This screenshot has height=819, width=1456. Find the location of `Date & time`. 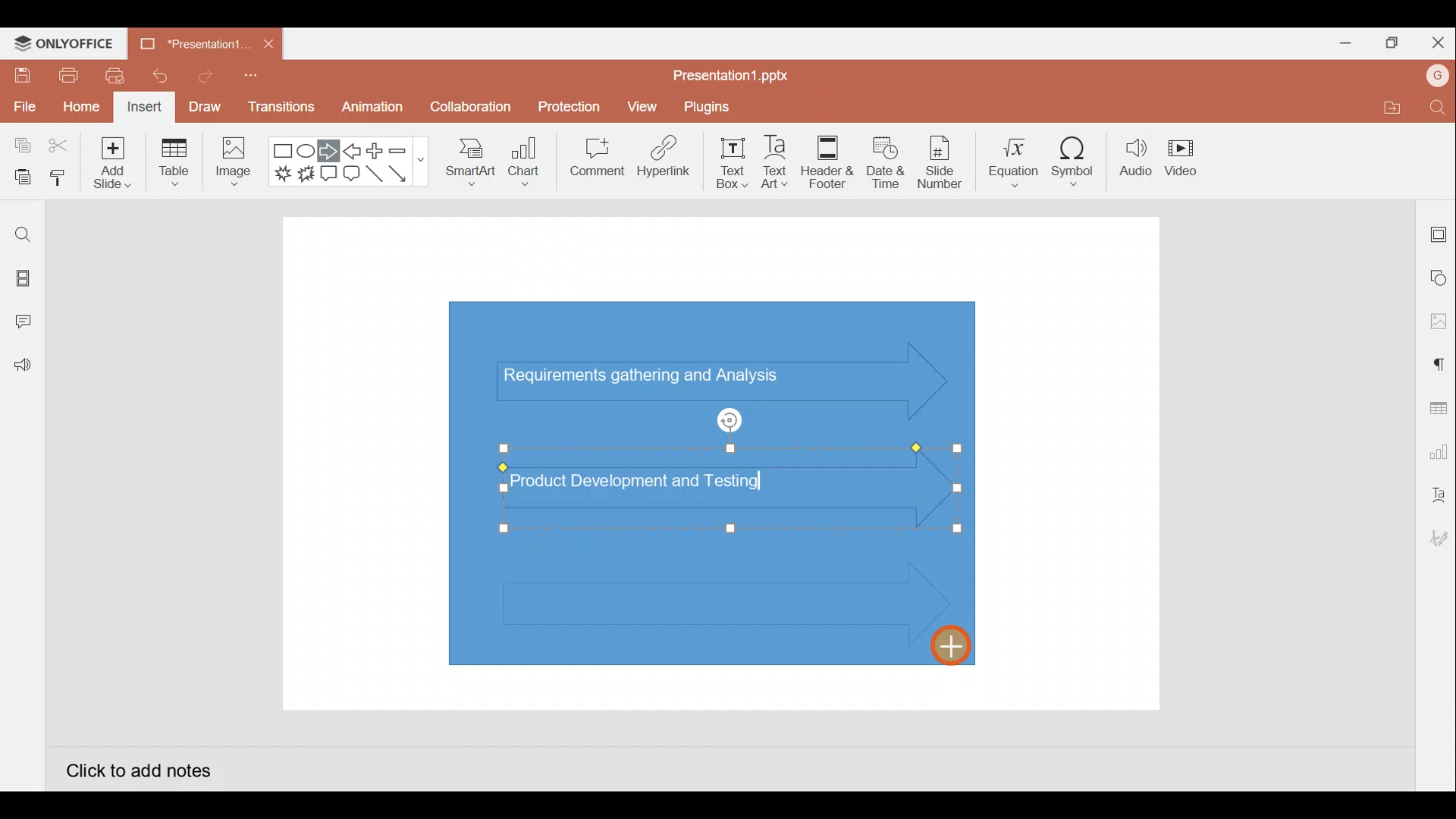

Date & time is located at coordinates (886, 162).